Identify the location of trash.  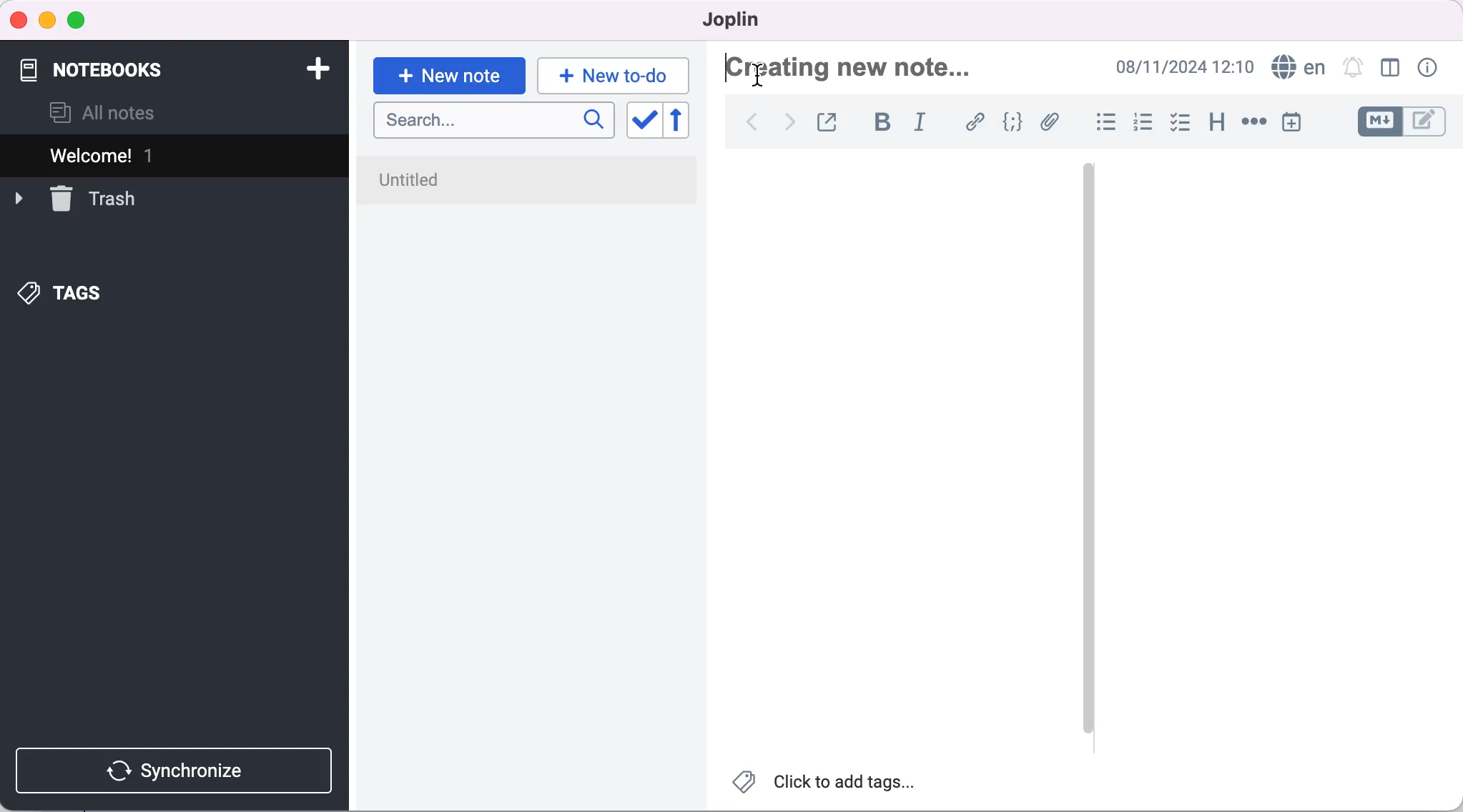
(94, 199).